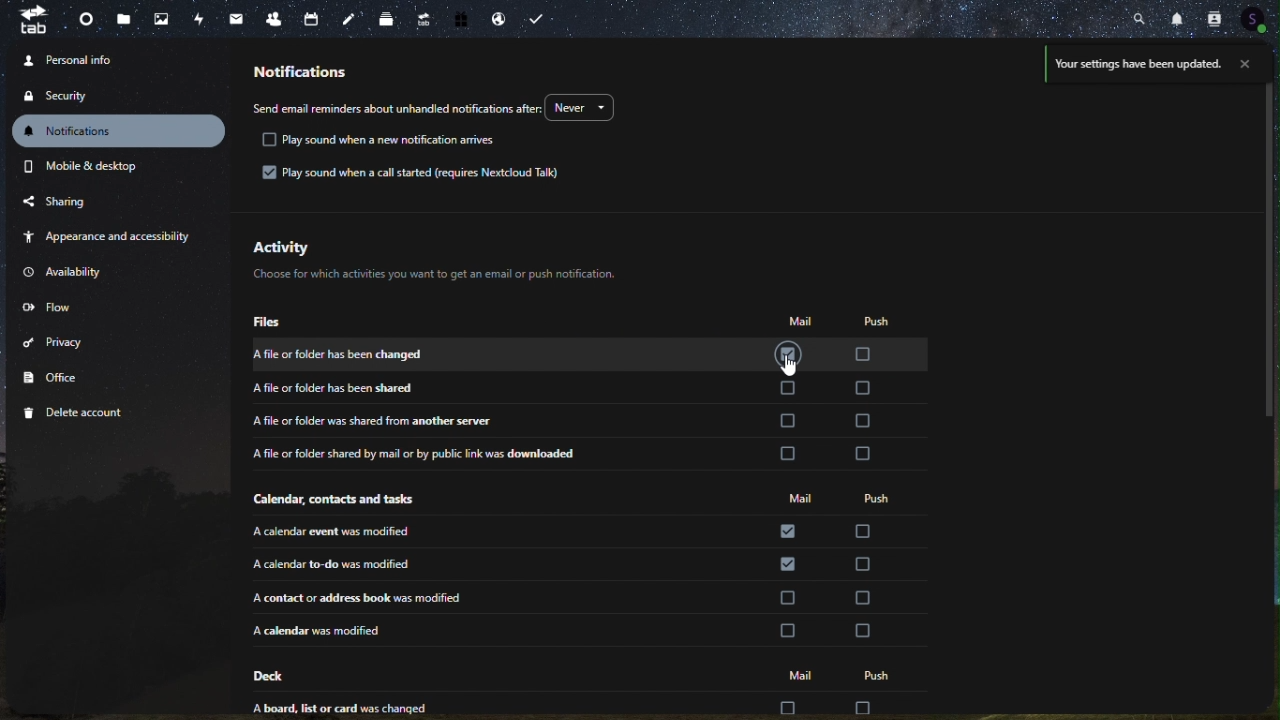  Describe the element at coordinates (274, 17) in the screenshot. I see `contacts` at that location.